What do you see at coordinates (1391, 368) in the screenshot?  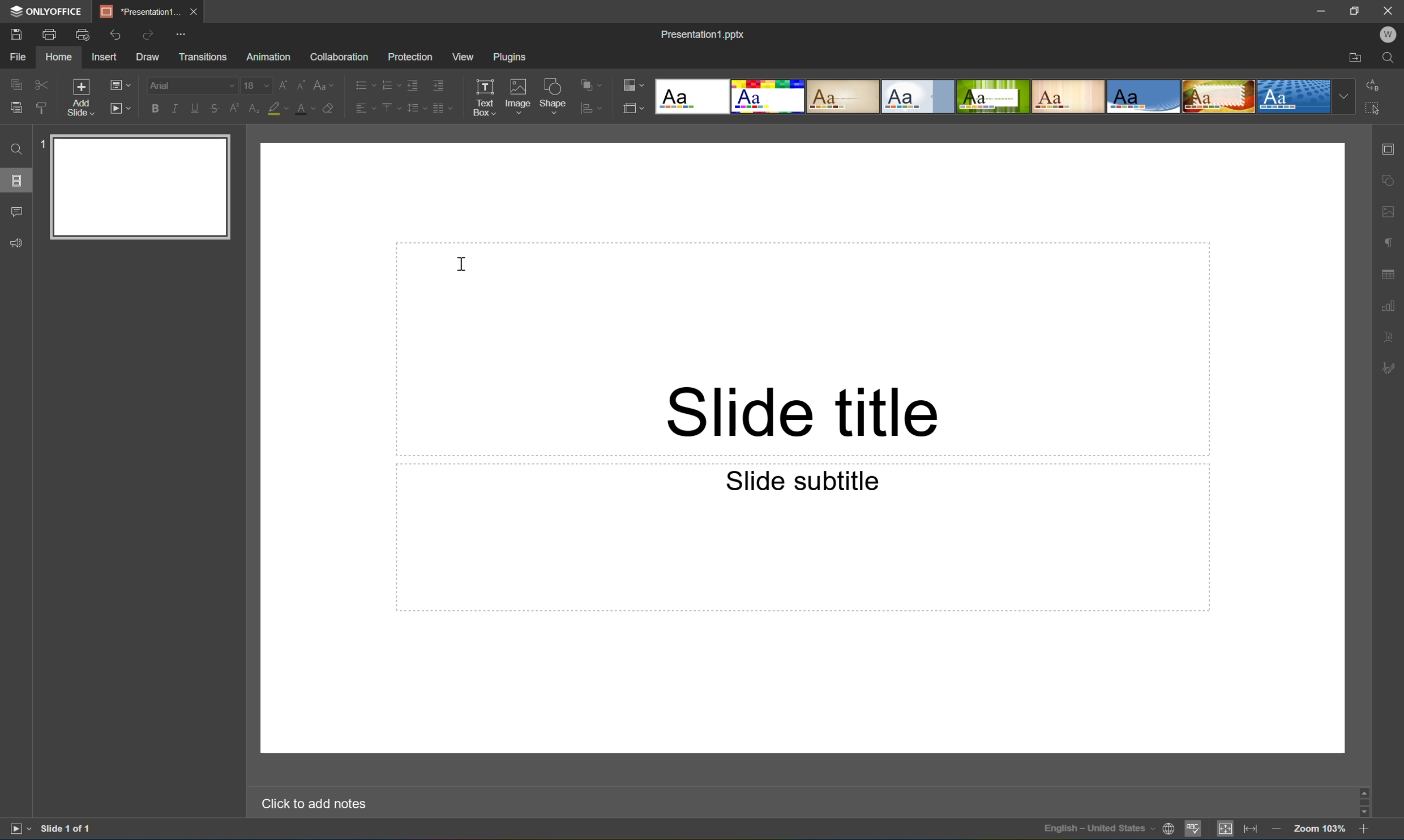 I see `Signature settings` at bounding box center [1391, 368].